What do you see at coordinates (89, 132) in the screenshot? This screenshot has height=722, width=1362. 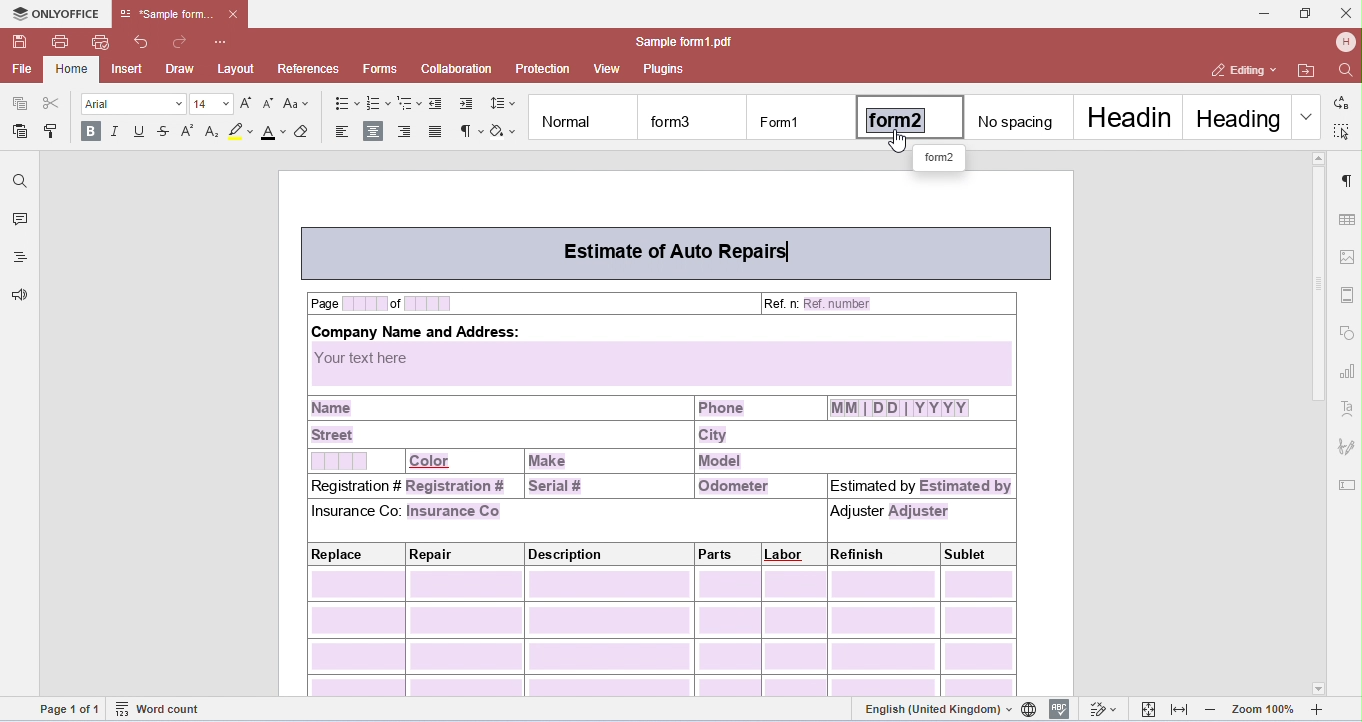 I see `bold` at bounding box center [89, 132].